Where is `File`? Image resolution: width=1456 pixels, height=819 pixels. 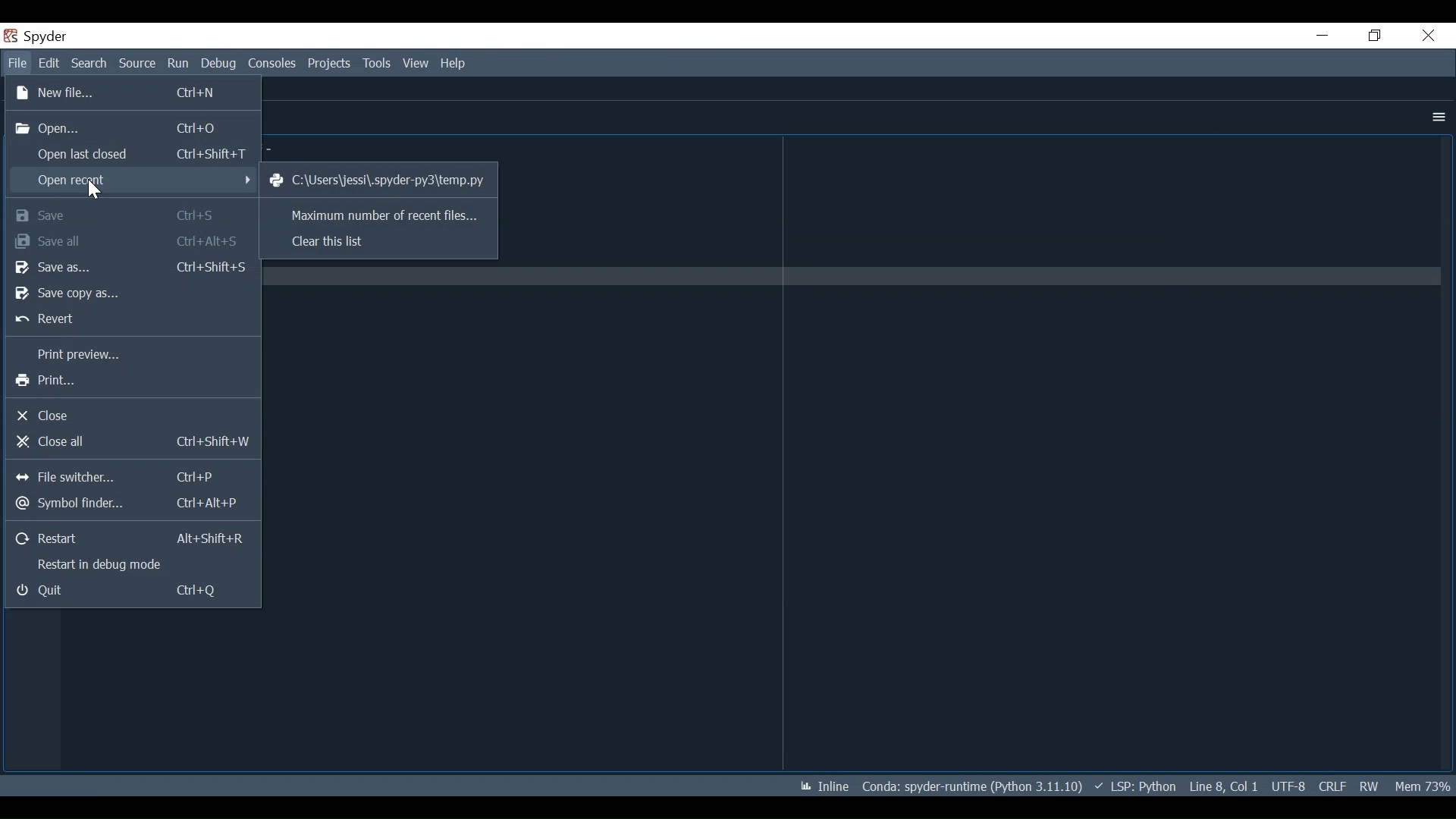 File is located at coordinates (17, 63).